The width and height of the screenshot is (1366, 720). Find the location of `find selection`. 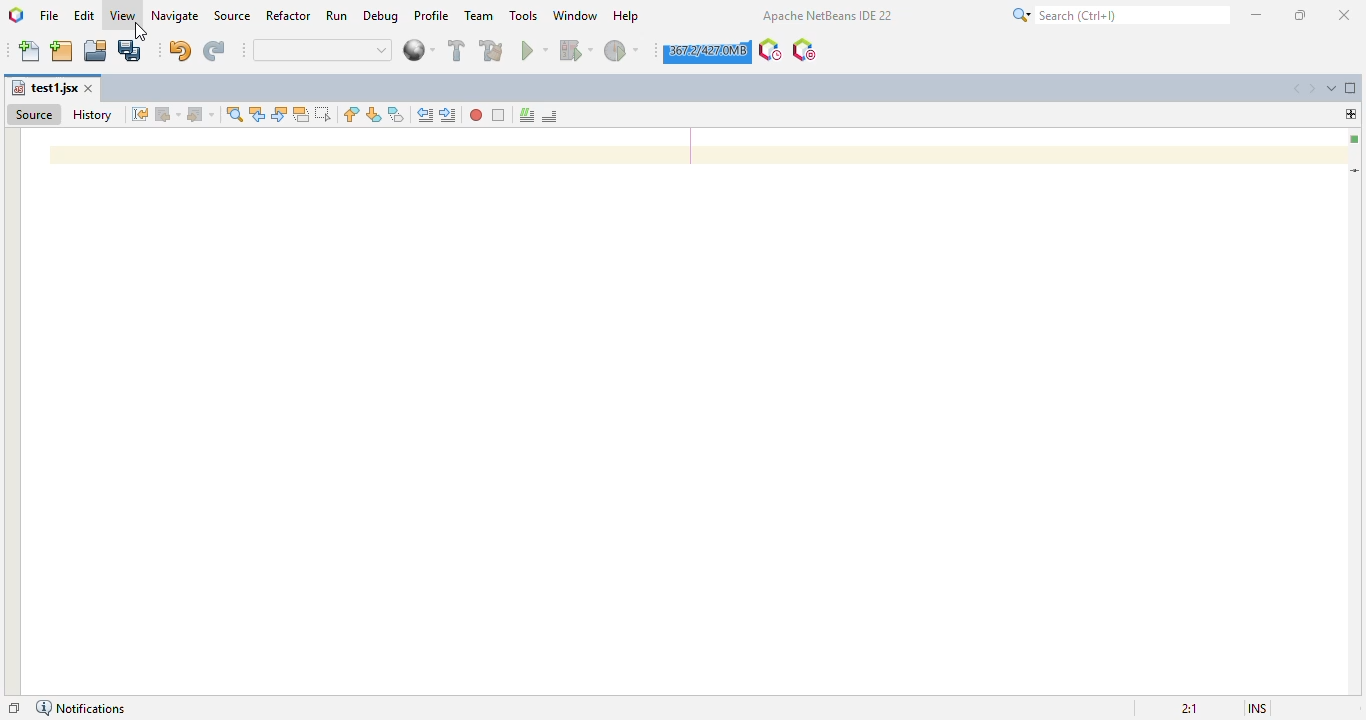

find selection is located at coordinates (235, 114).